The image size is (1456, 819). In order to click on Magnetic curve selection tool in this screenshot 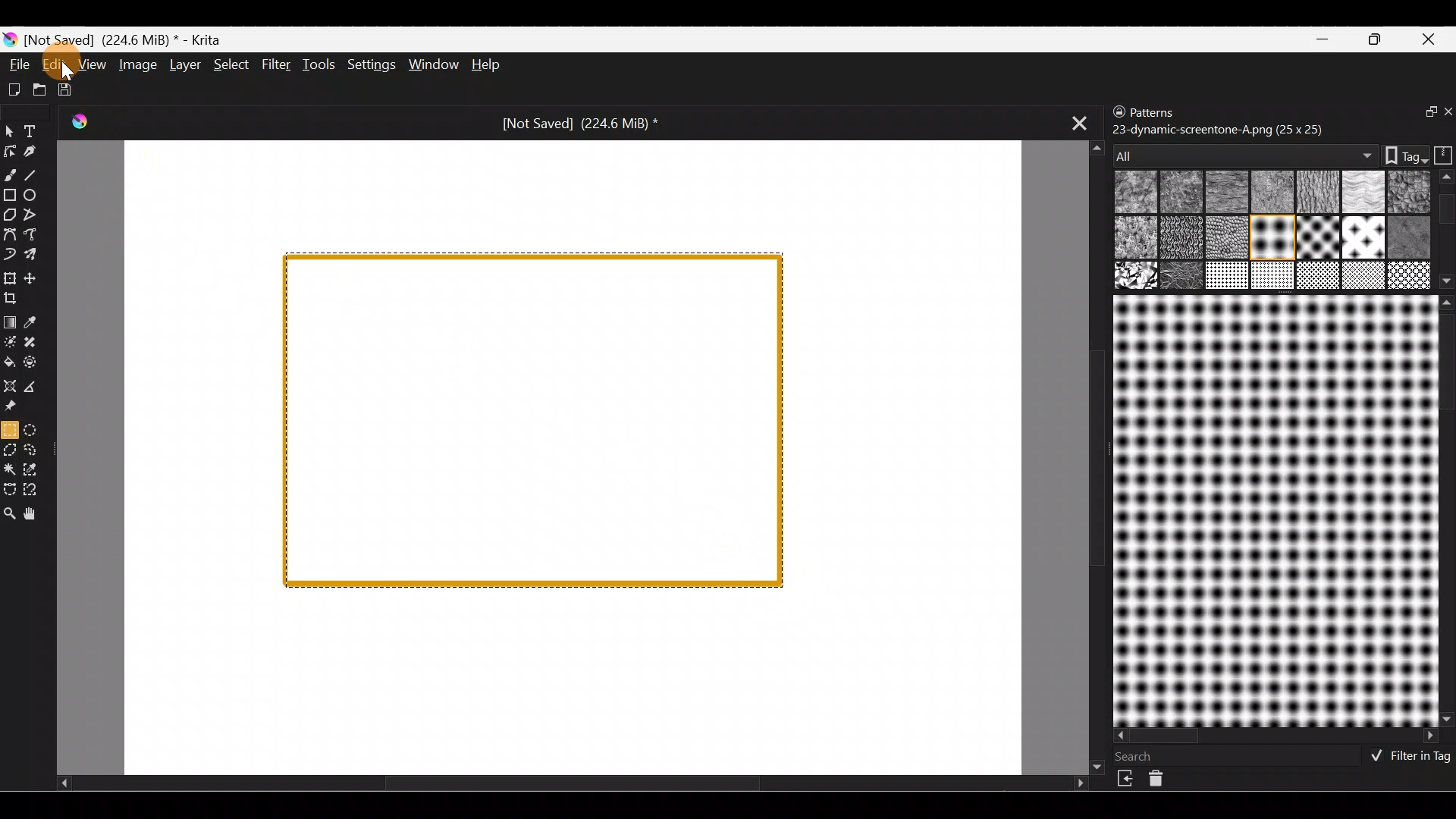, I will do `click(41, 490)`.